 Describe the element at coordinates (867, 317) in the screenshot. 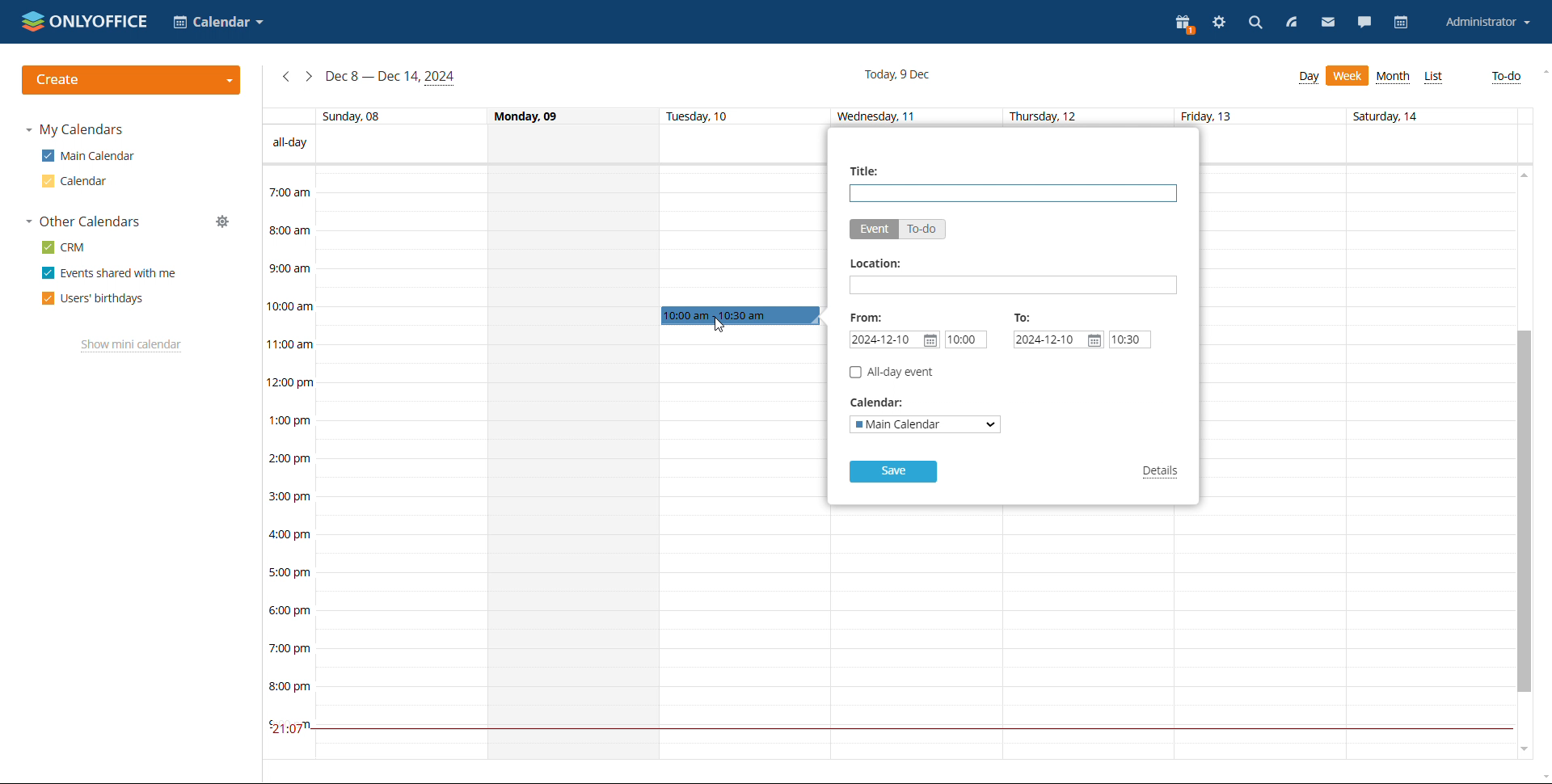

I see `From:` at that location.